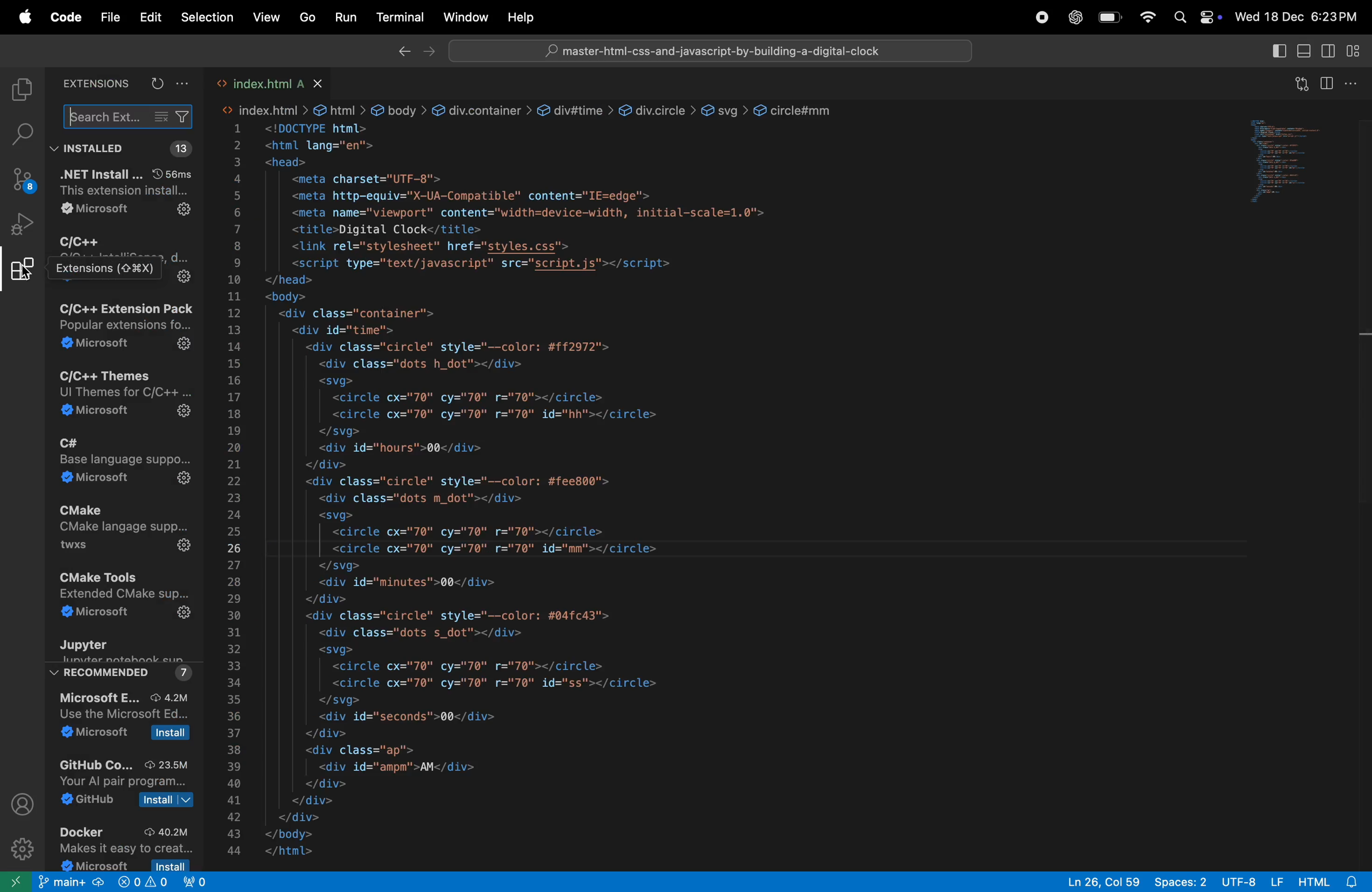  Describe the element at coordinates (123, 535) in the screenshot. I see `Cmake extensions` at that location.